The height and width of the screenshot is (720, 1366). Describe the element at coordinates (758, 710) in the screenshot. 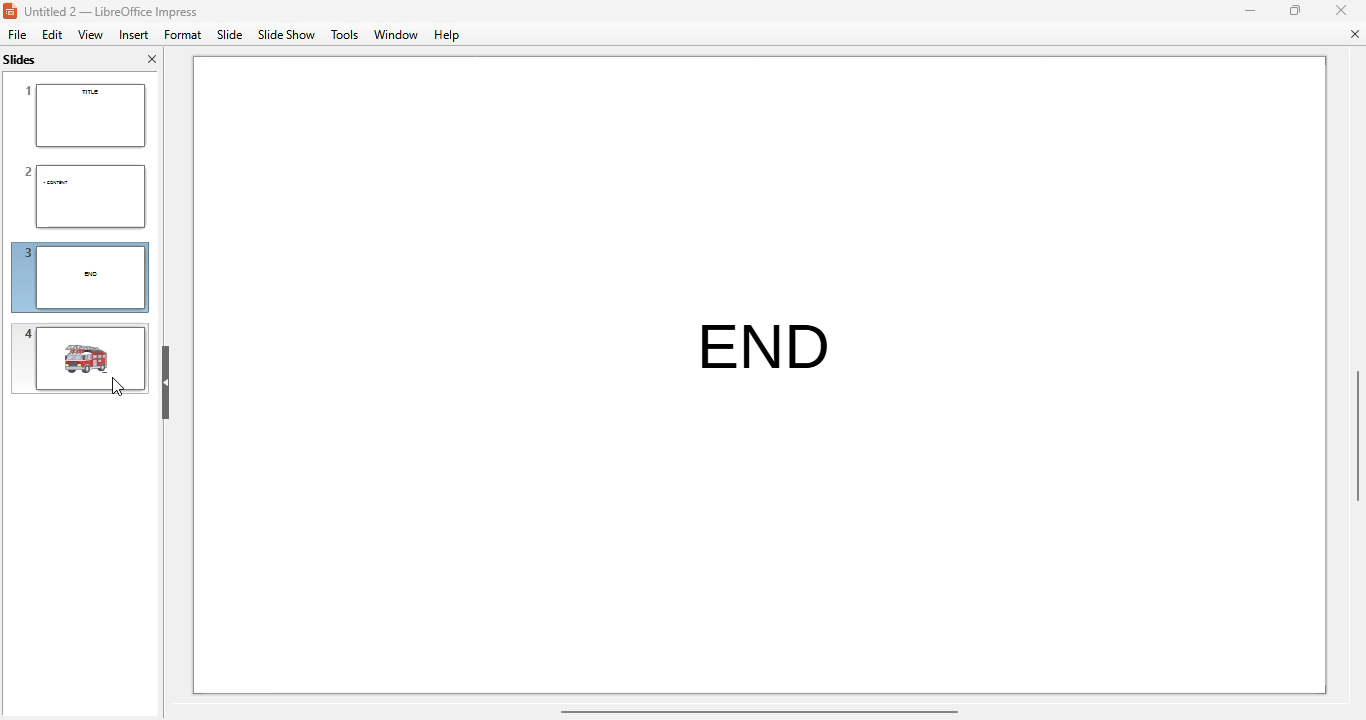

I see `horizontal scroll bar` at that location.